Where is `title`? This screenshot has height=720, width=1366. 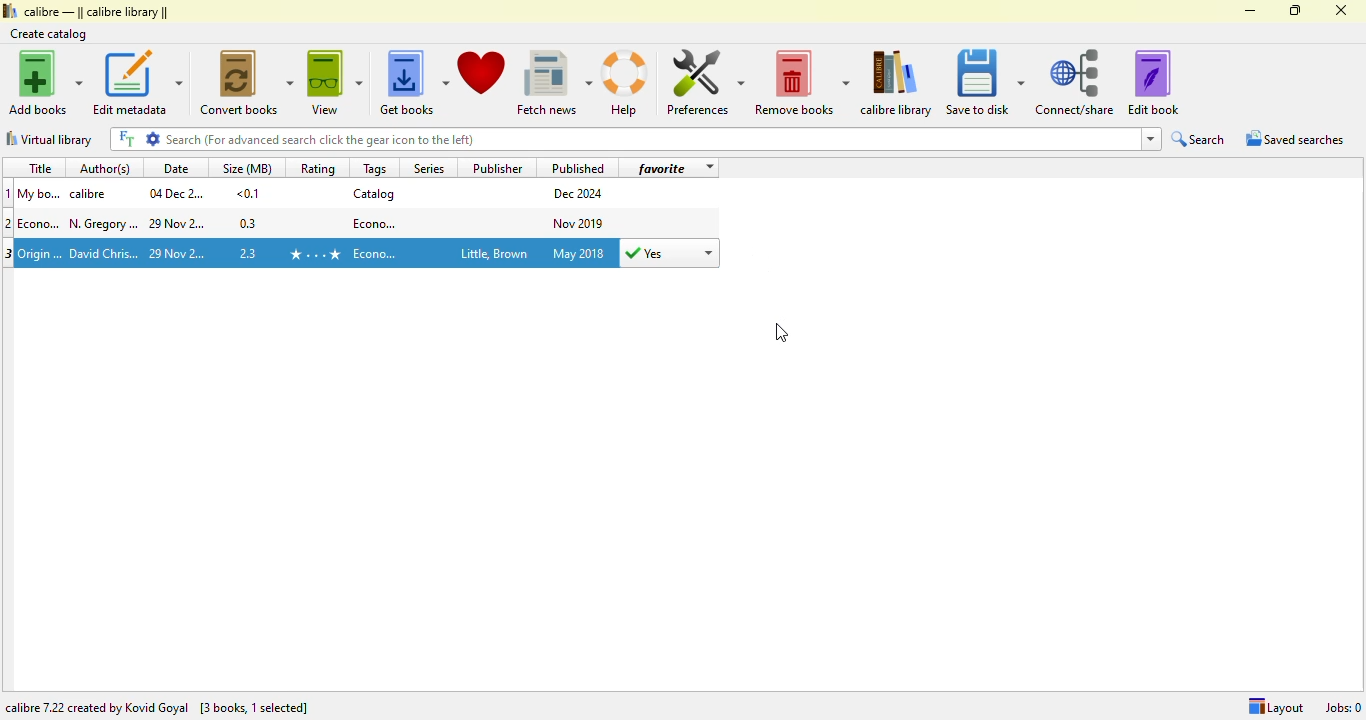
title is located at coordinates (41, 252).